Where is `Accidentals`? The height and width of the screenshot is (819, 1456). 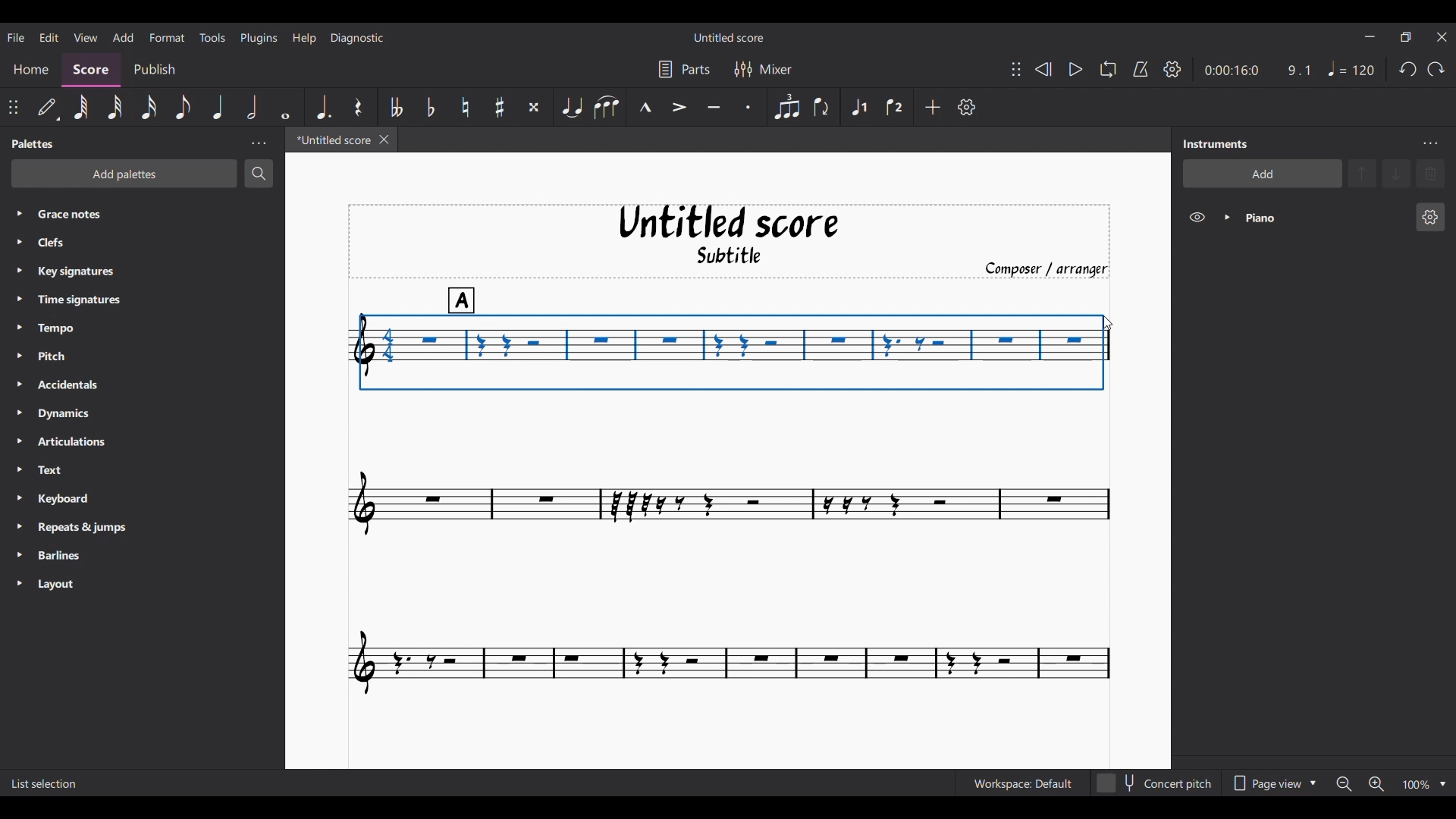 Accidentals is located at coordinates (90, 386).